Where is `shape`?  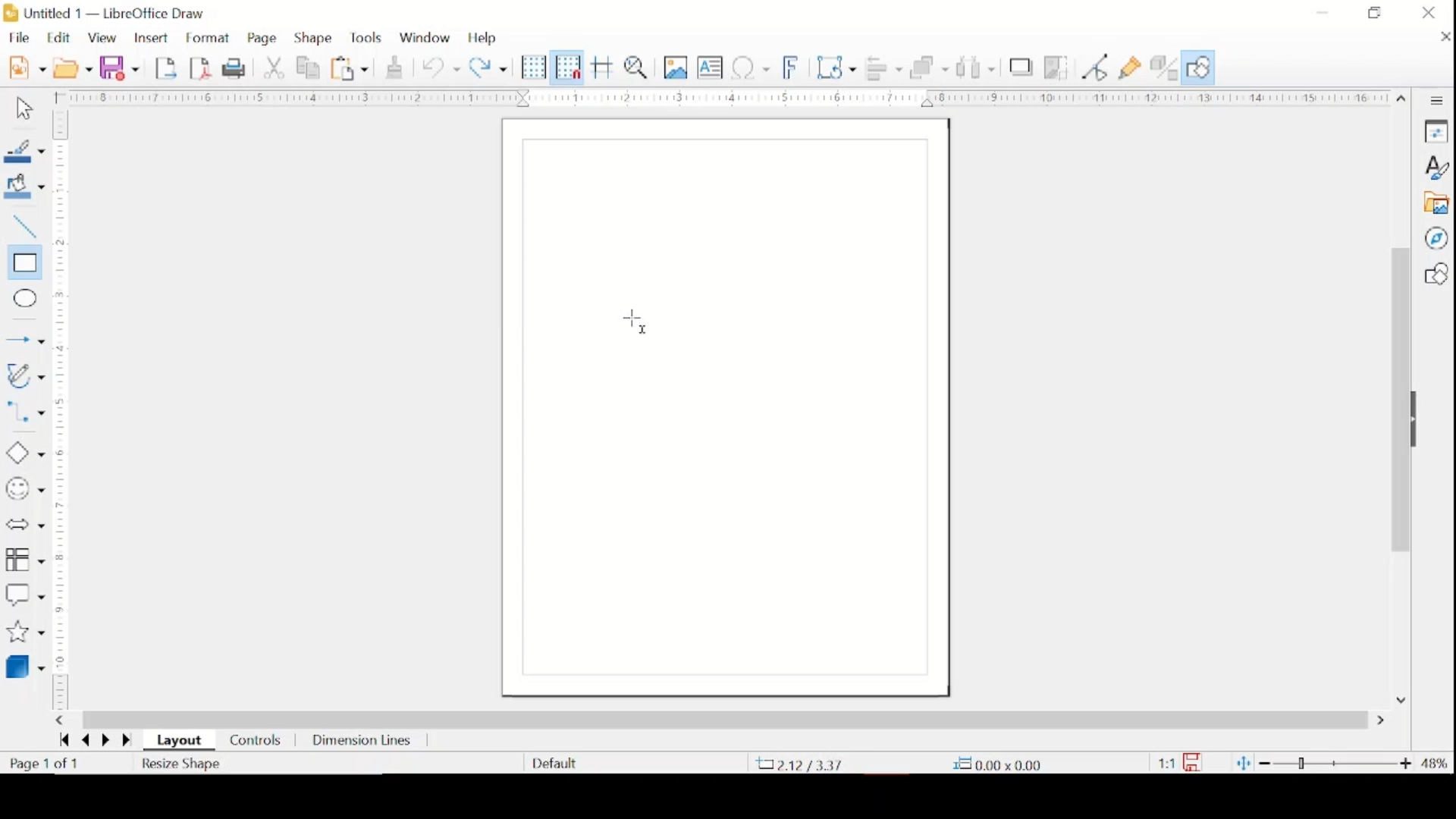
shape is located at coordinates (314, 38).